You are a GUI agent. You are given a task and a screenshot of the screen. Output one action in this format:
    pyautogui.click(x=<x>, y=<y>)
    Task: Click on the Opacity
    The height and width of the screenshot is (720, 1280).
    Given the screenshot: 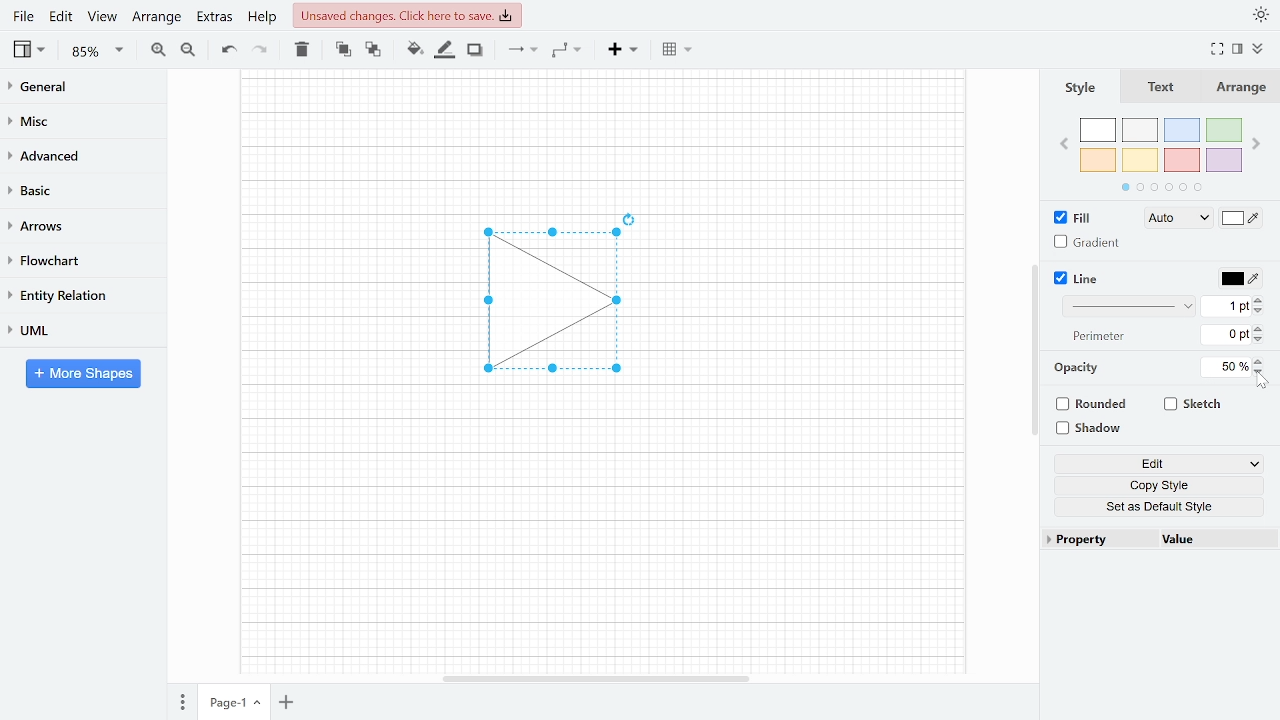 What is the action you would take?
    pyautogui.click(x=1078, y=368)
    